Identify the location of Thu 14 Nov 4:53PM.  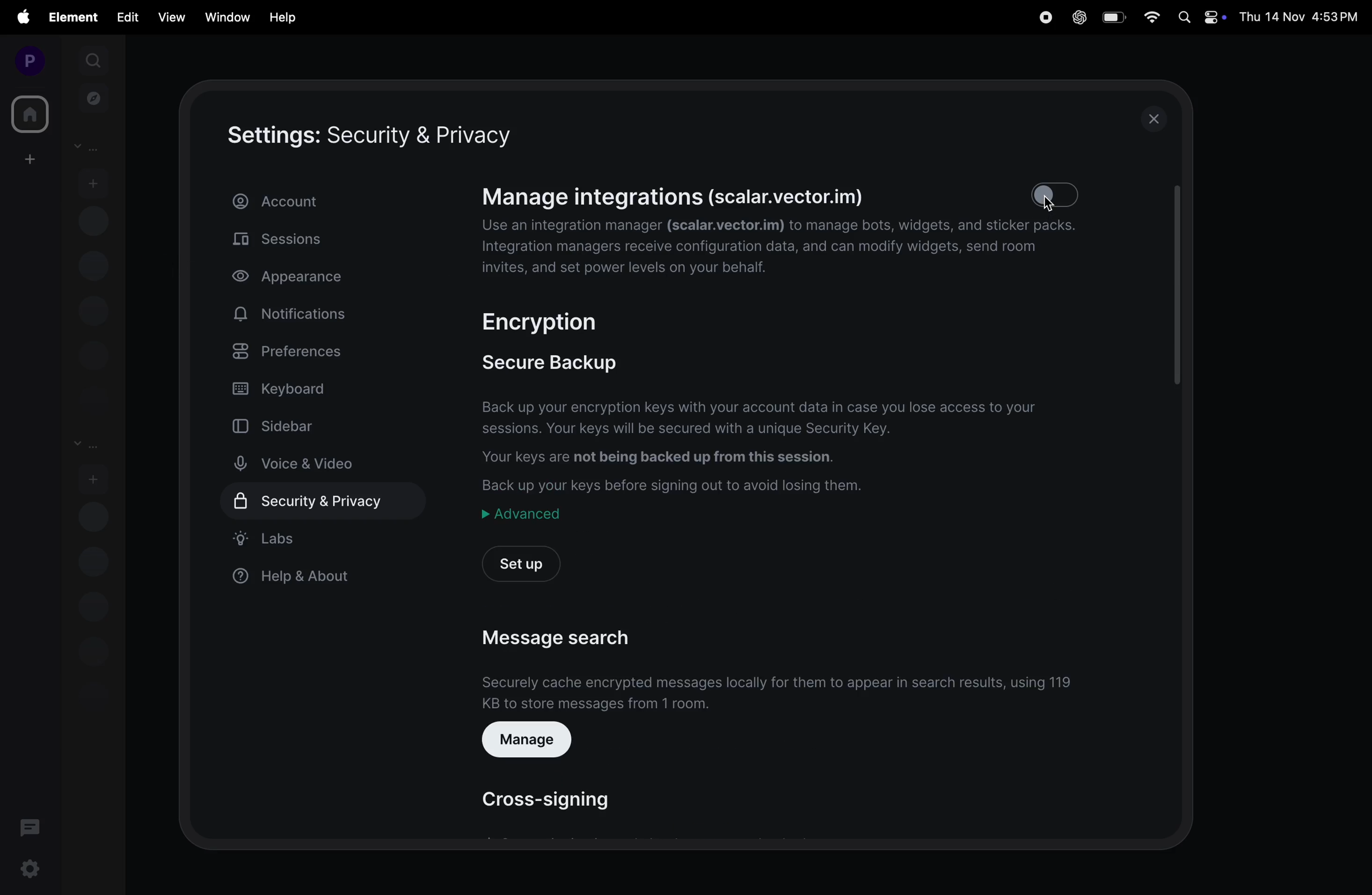
(1298, 16).